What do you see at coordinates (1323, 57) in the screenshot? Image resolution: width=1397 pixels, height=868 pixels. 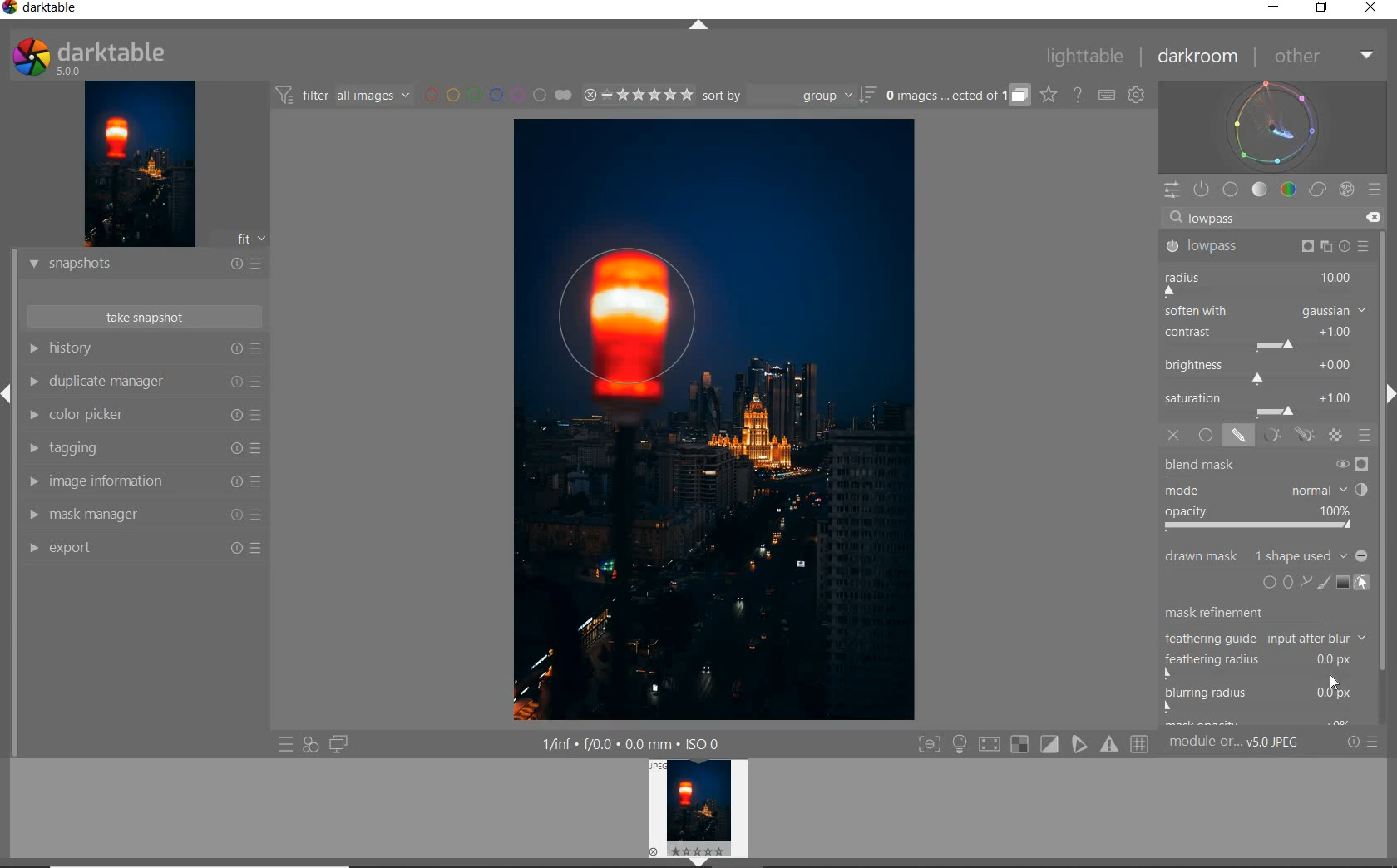 I see `OTHER` at bounding box center [1323, 57].